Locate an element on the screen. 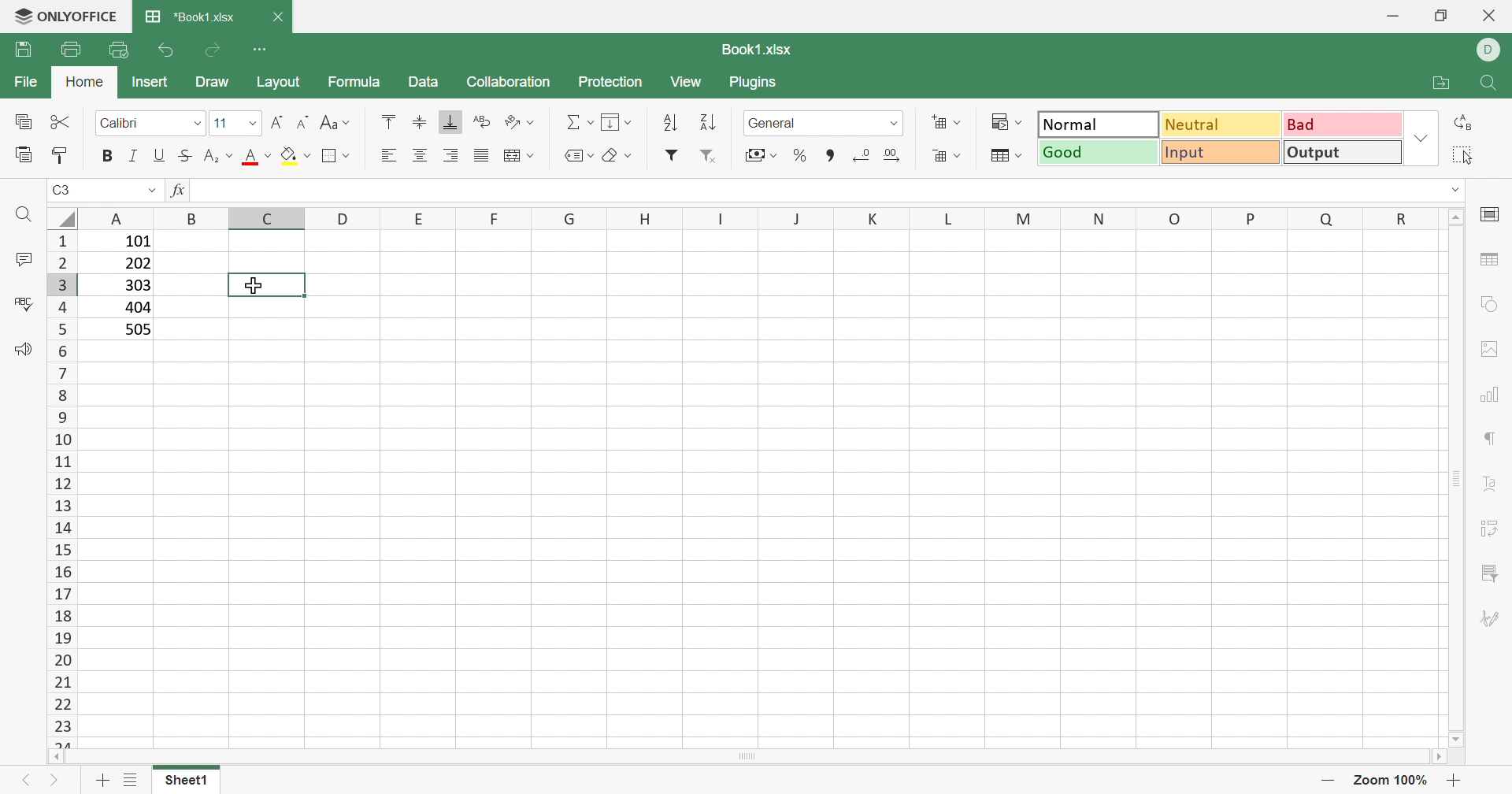 Image resolution: width=1512 pixels, height=794 pixels. Data is located at coordinates (427, 83).